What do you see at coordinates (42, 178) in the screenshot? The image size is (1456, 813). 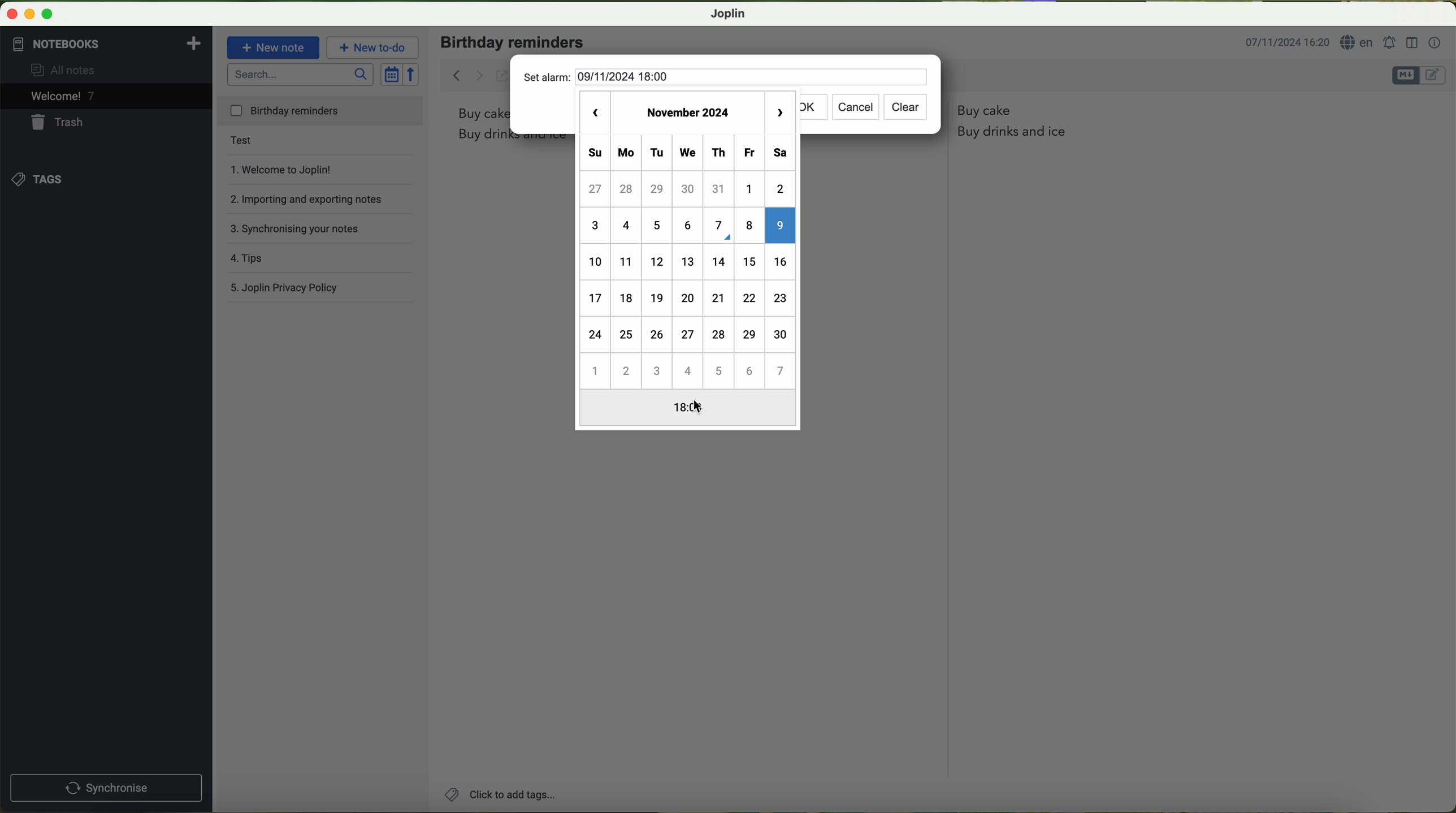 I see `tags` at bounding box center [42, 178].